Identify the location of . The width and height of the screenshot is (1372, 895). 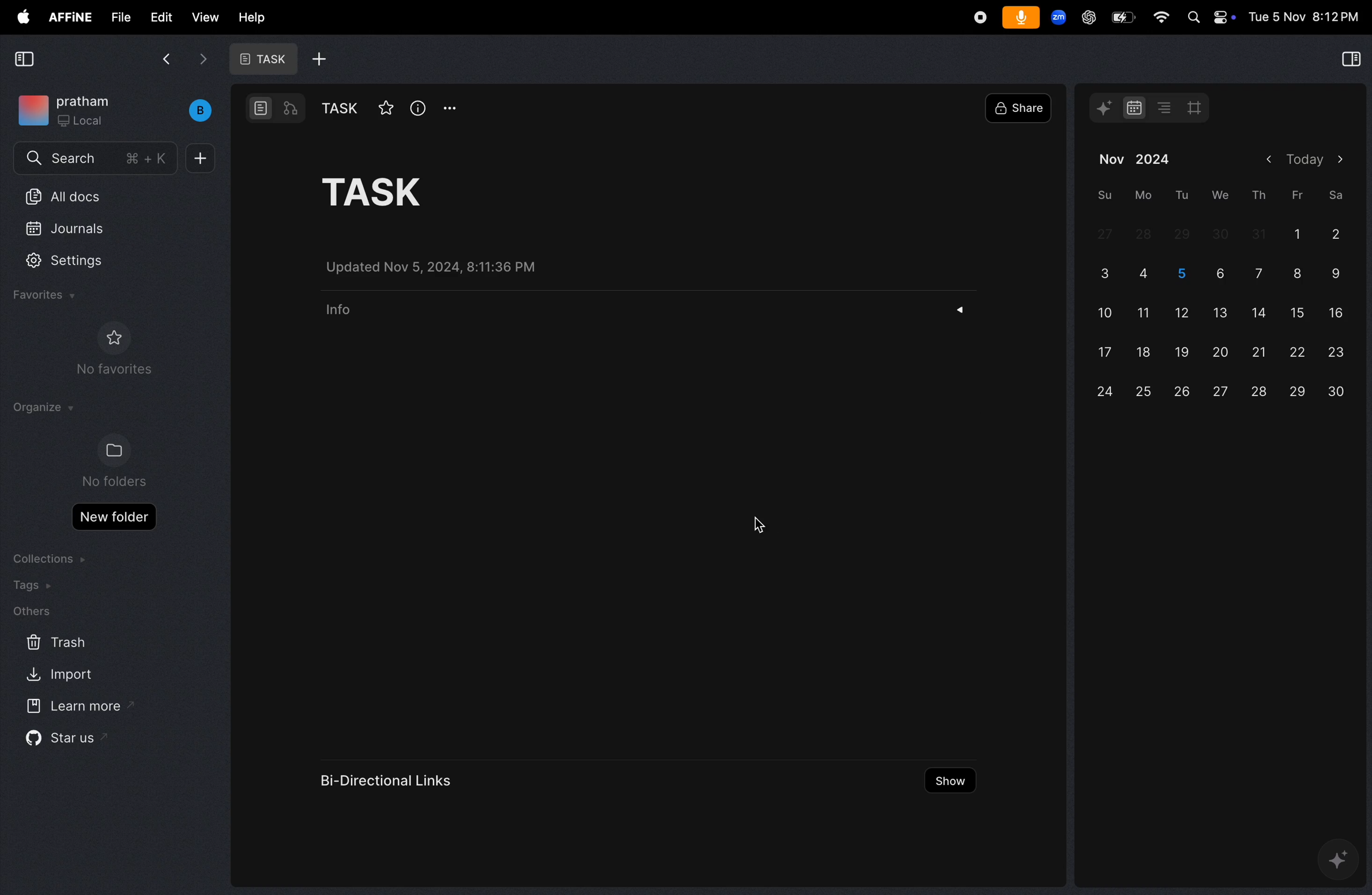
(338, 108).